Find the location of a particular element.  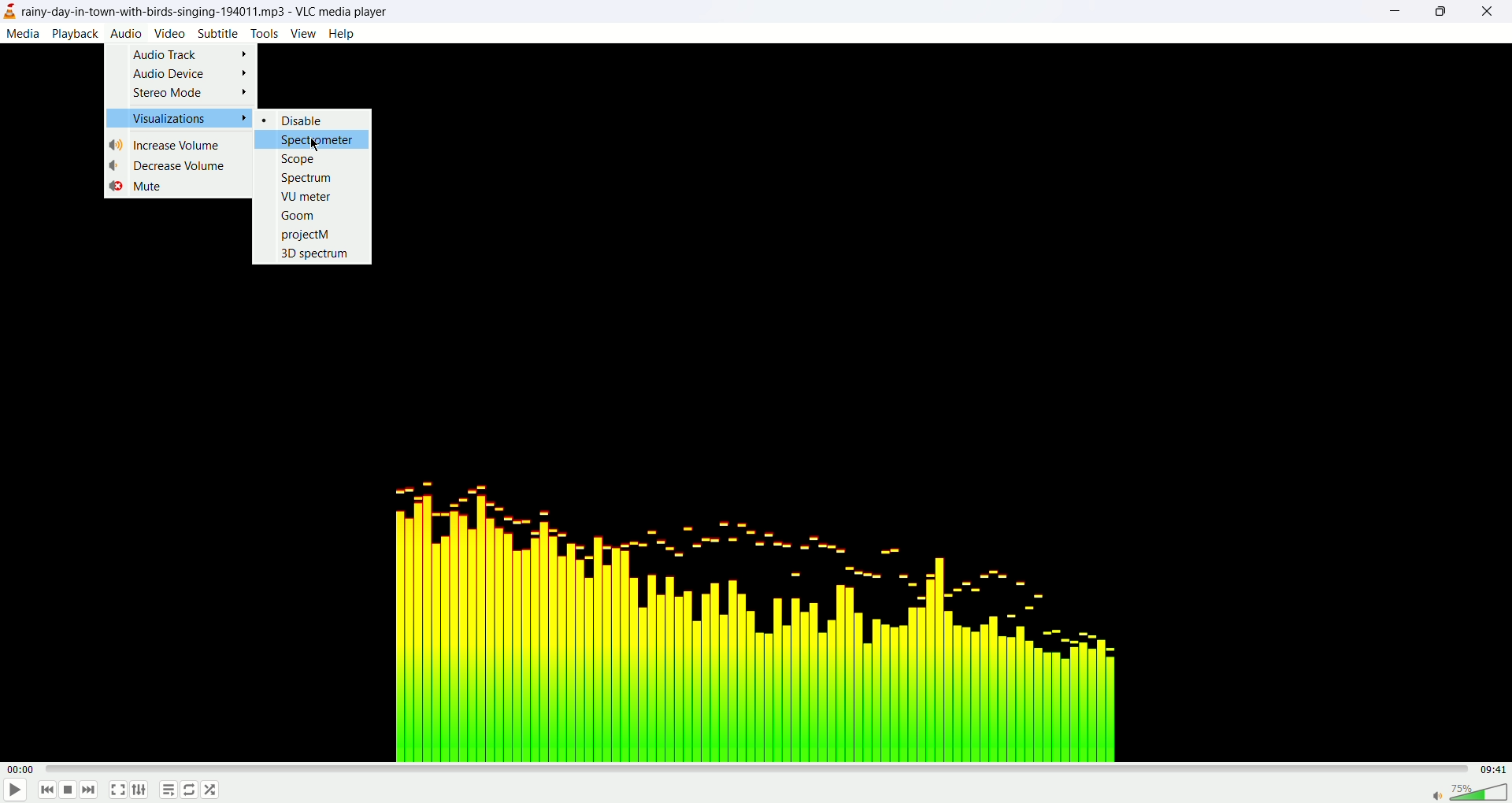

logo is located at coordinates (9, 10).